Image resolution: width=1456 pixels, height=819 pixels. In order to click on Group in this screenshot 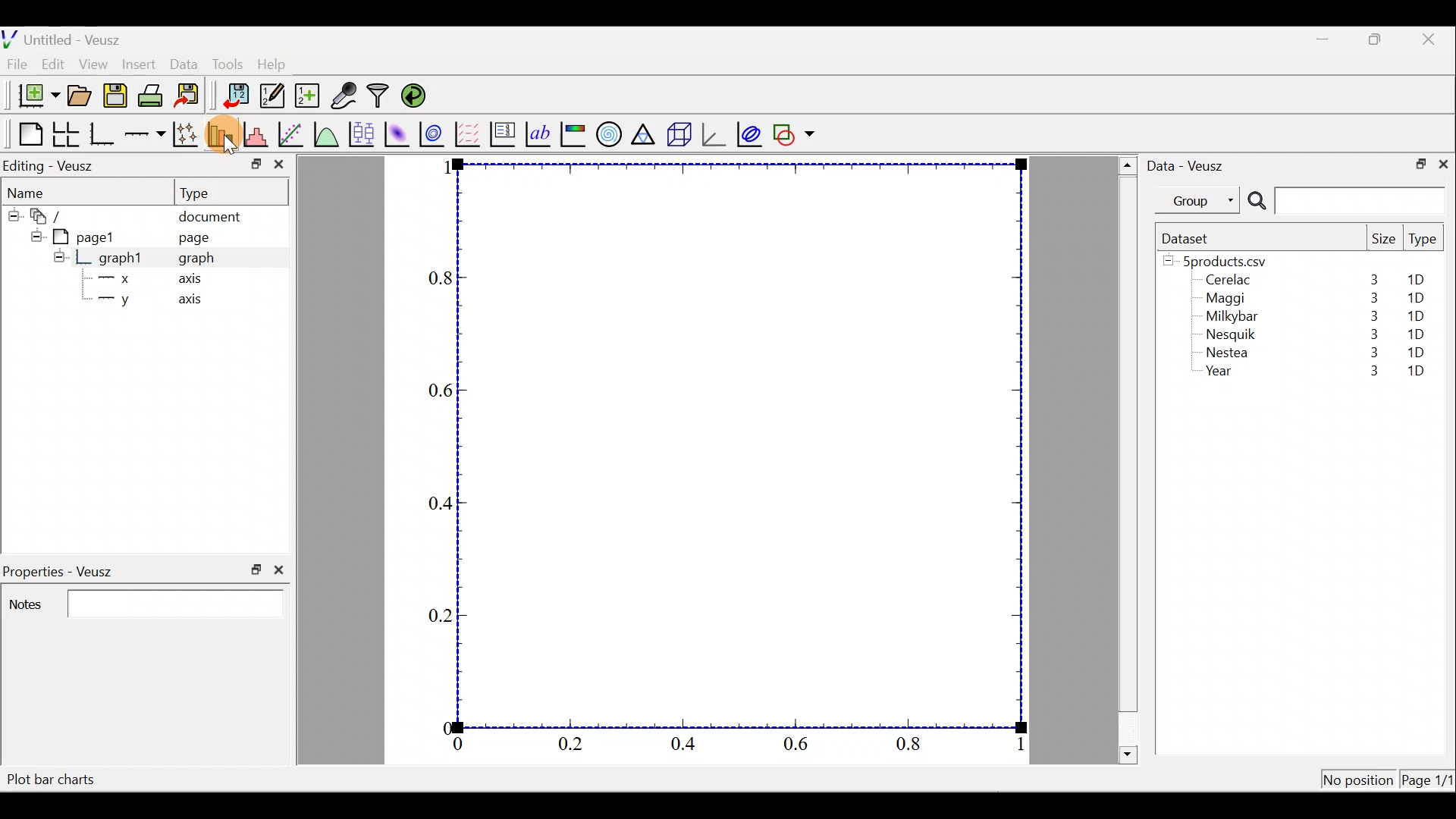, I will do `click(1200, 199)`.